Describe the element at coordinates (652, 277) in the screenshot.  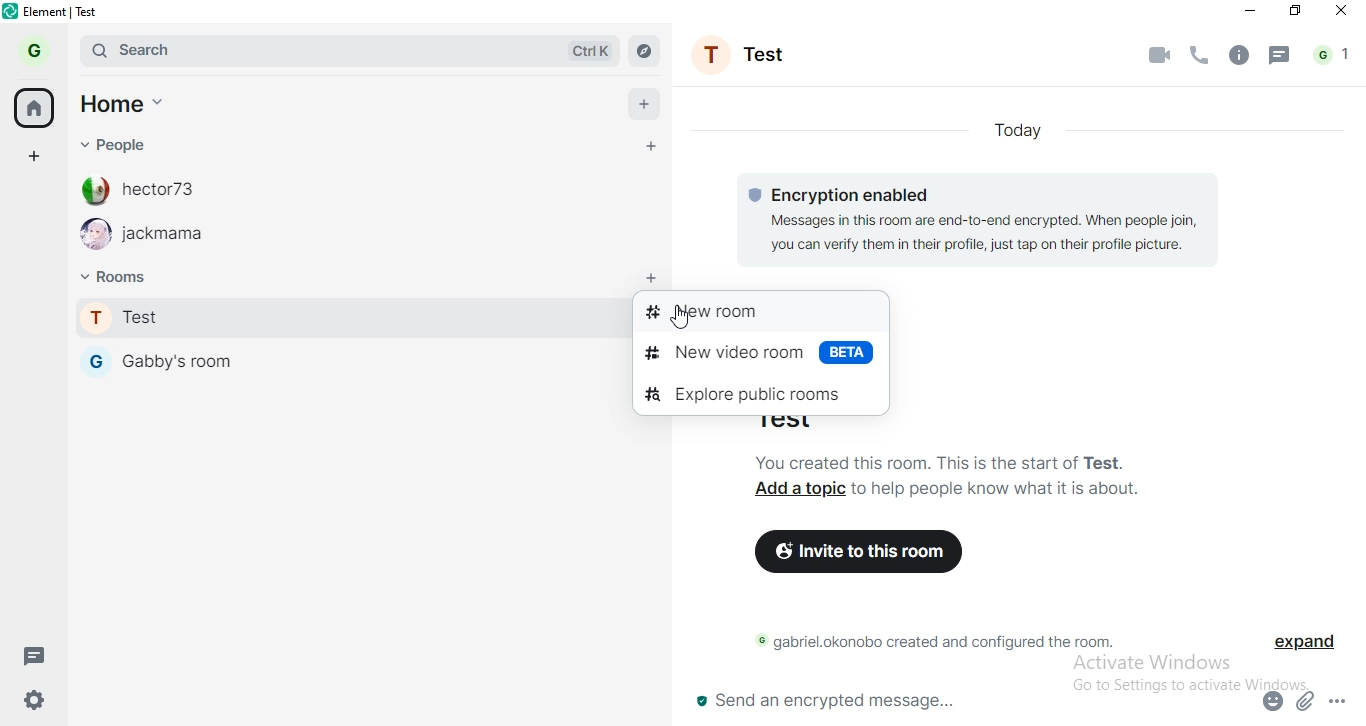
I see `add room` at that location.